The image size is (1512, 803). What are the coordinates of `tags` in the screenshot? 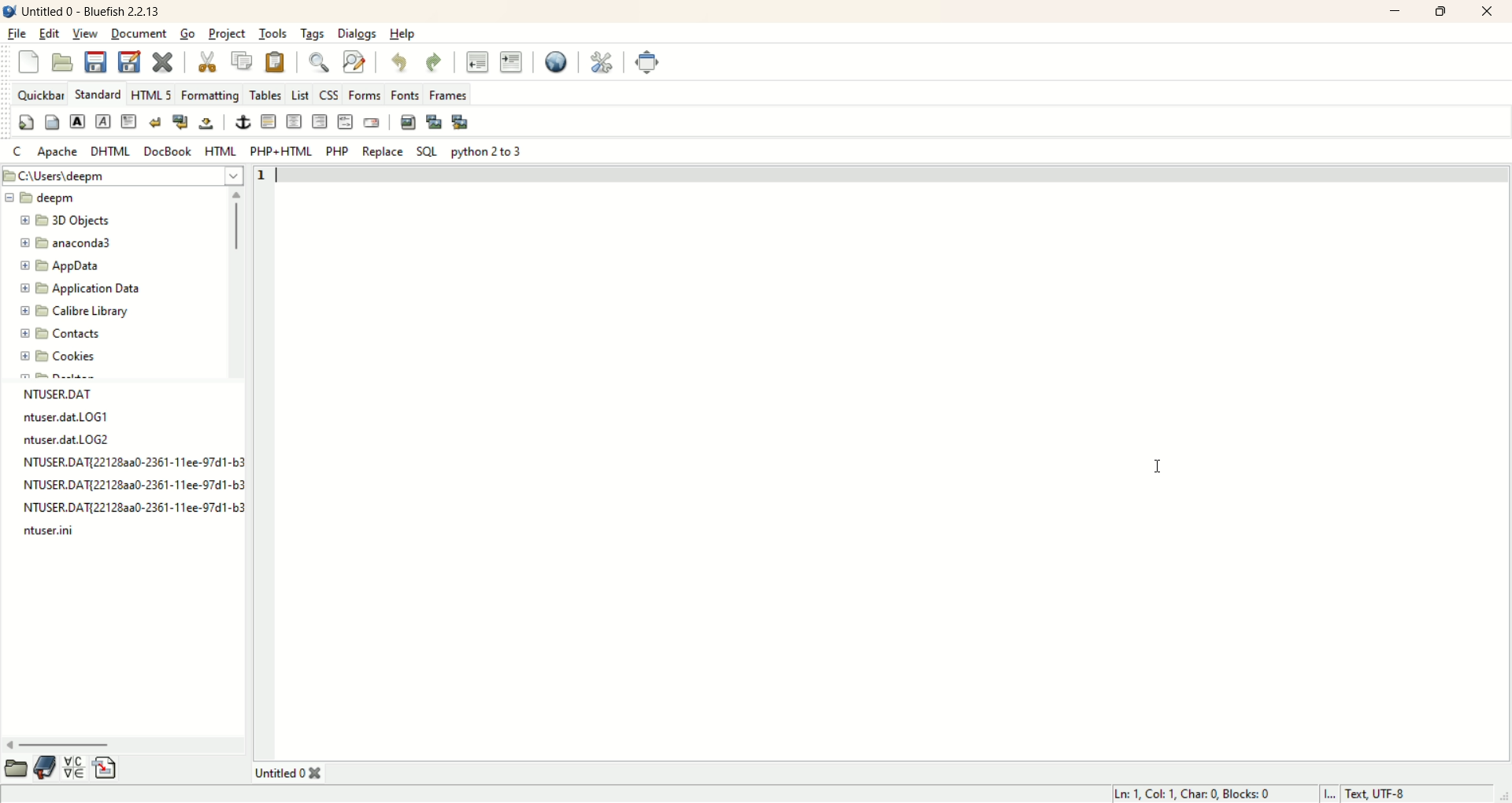 It's located at (313, 33).